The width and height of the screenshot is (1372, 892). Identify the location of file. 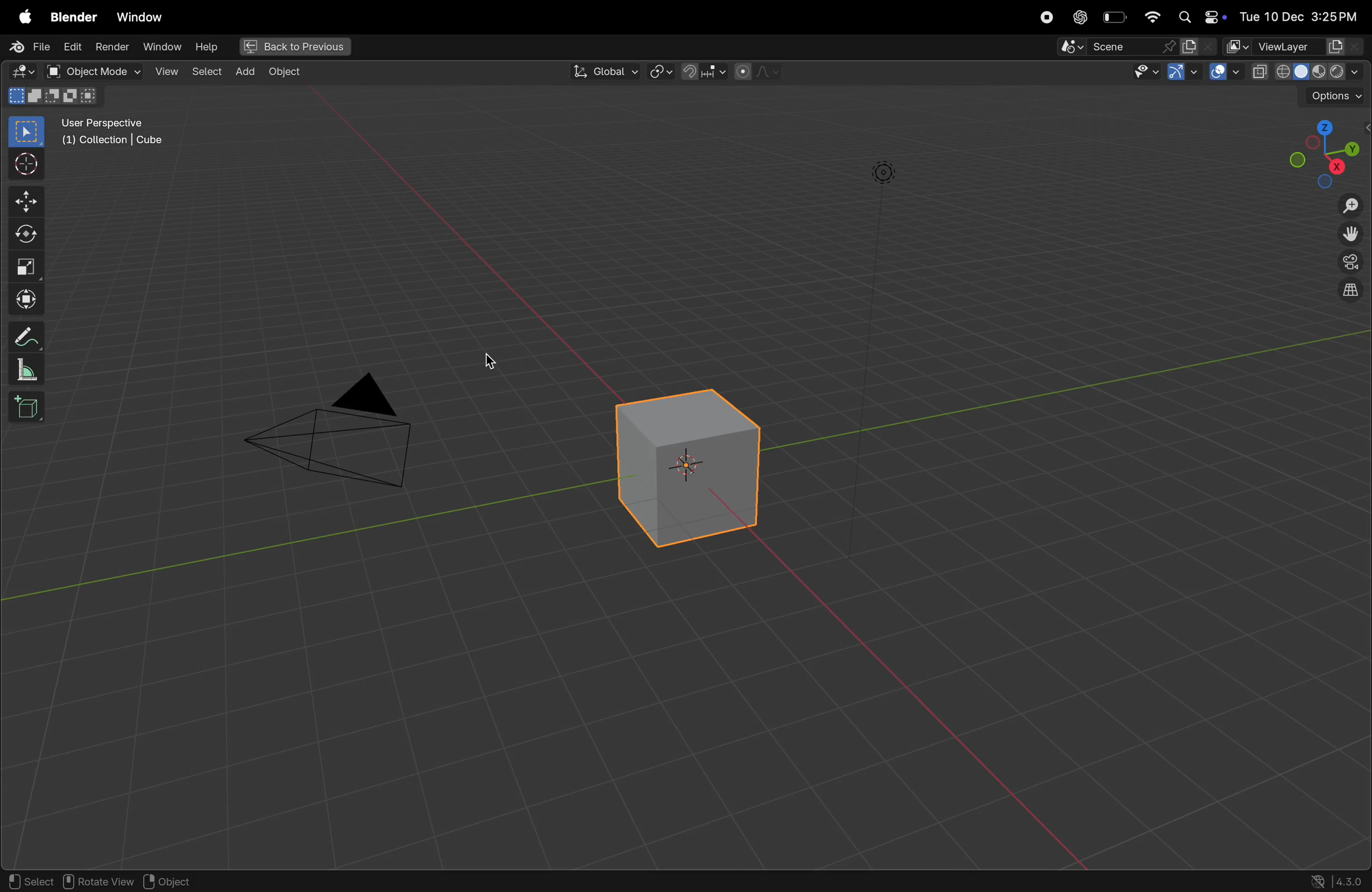
(26, 46).